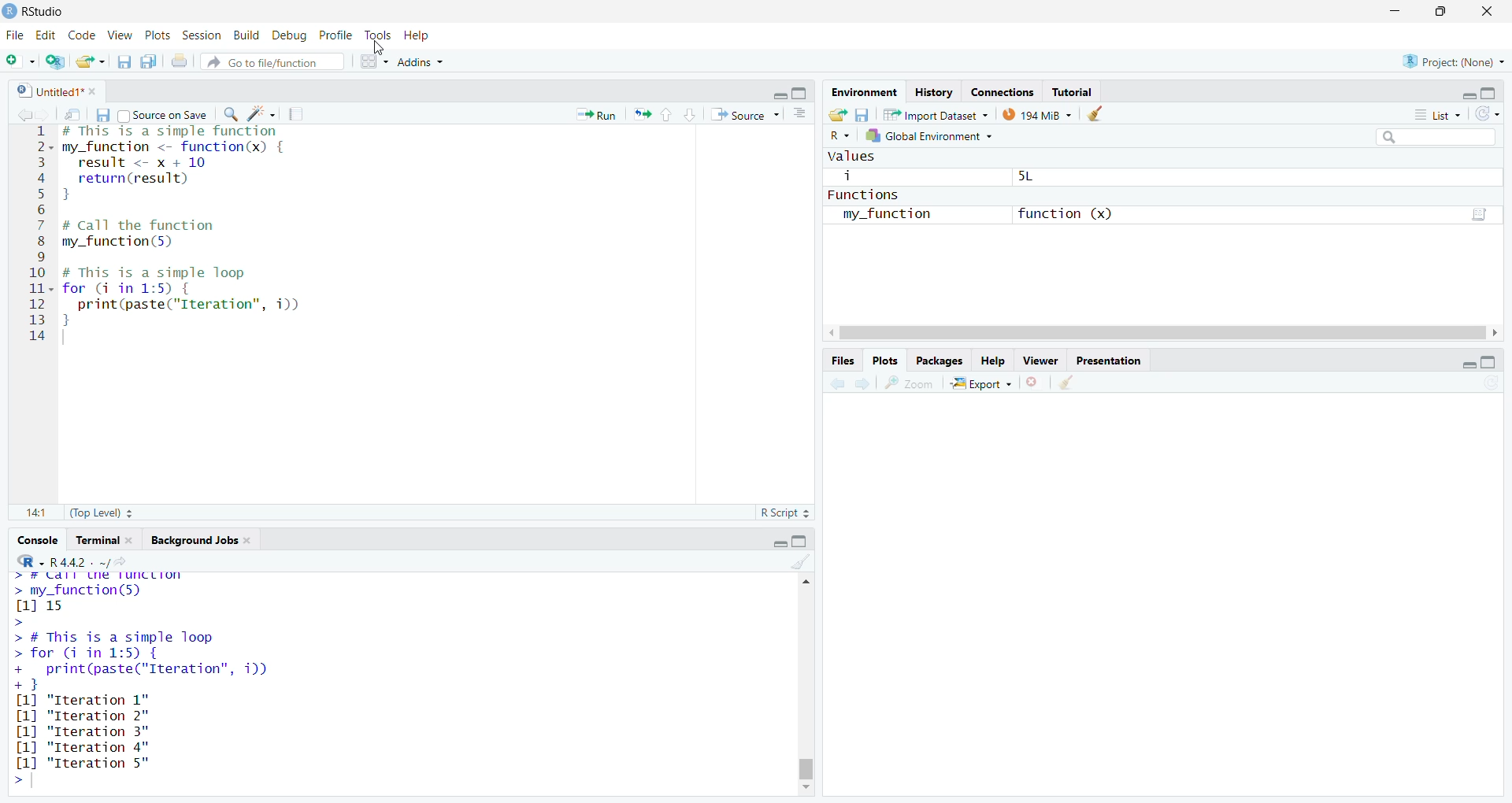 Image resolution: width=1512 pixels, height=803 pixels. I want to click on remove the current plot, so click(1034, 382).